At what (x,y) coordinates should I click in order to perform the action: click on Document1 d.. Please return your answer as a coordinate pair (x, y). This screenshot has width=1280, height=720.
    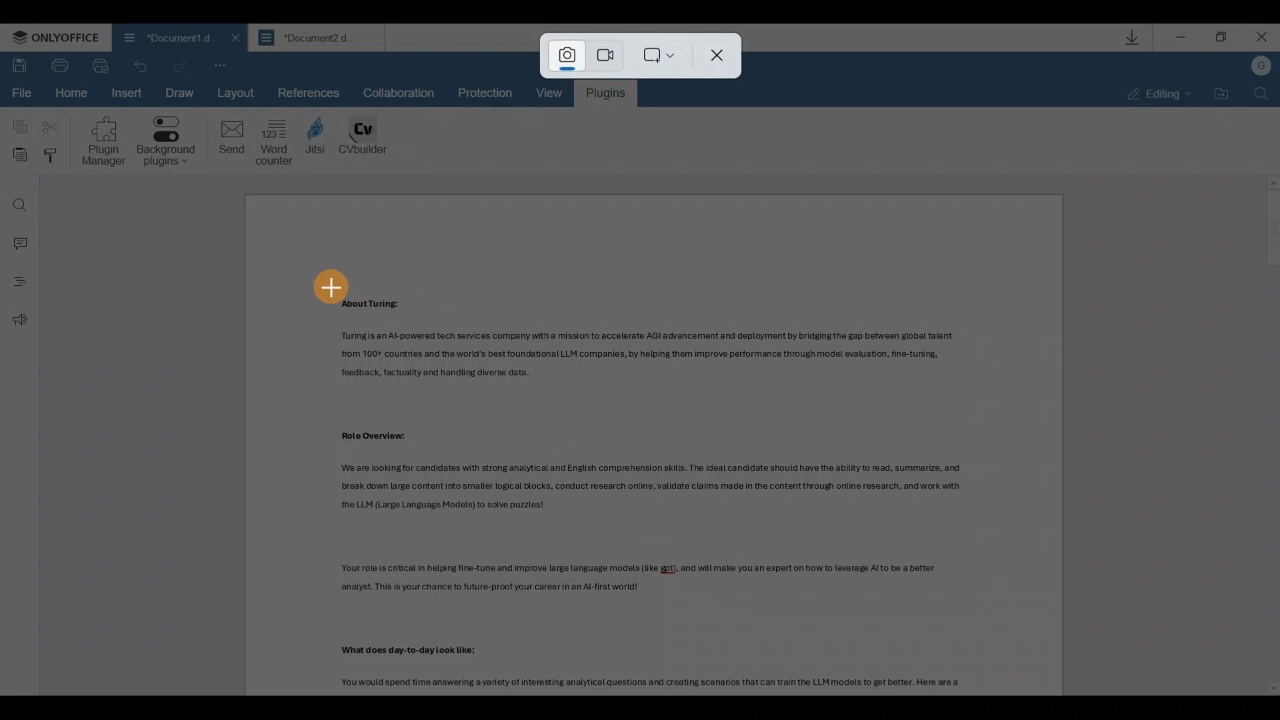
    Looking at the image, I should click on (164, 36).